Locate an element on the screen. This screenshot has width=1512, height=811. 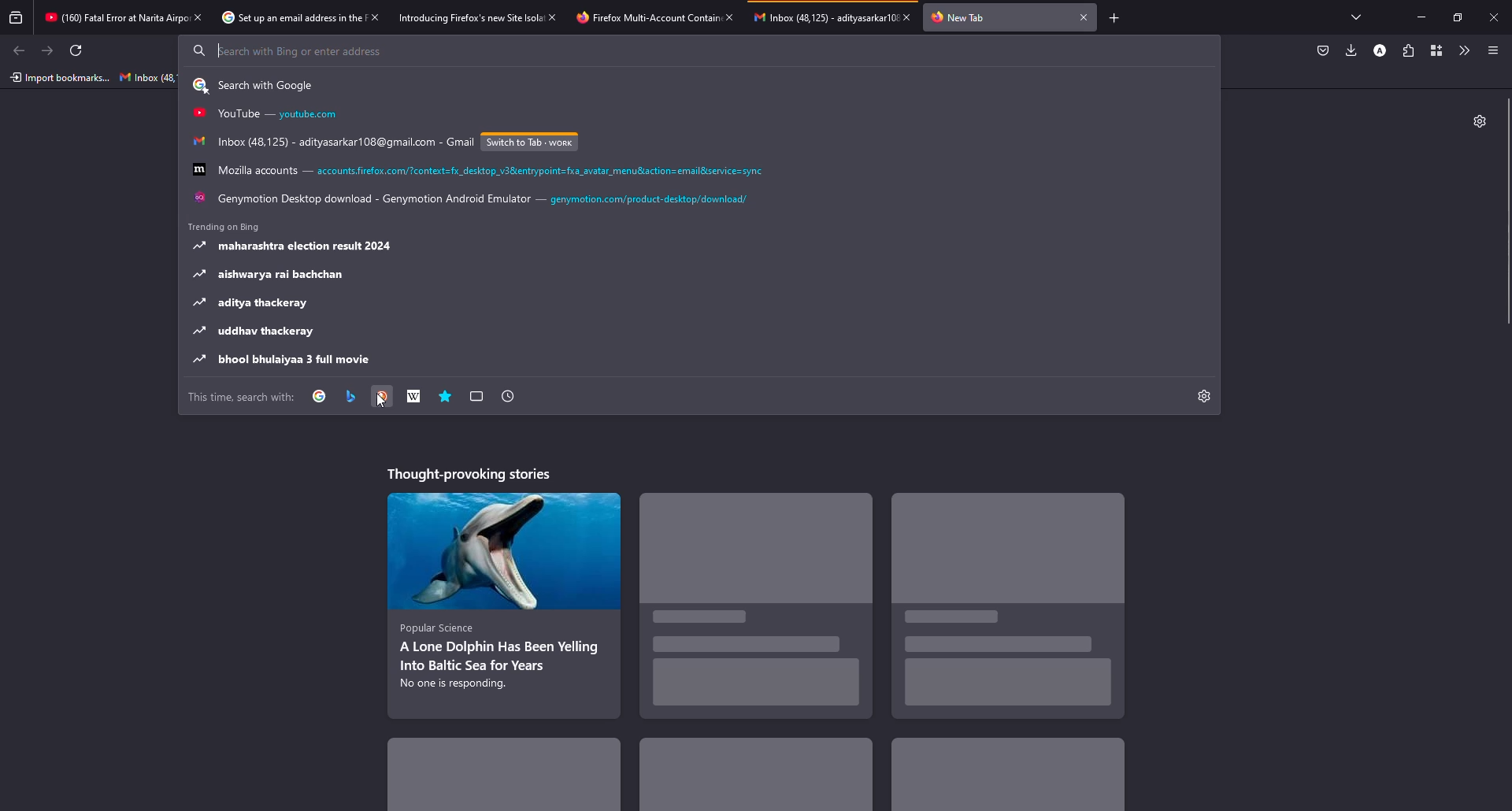
close is located at coordinates (731, 17).